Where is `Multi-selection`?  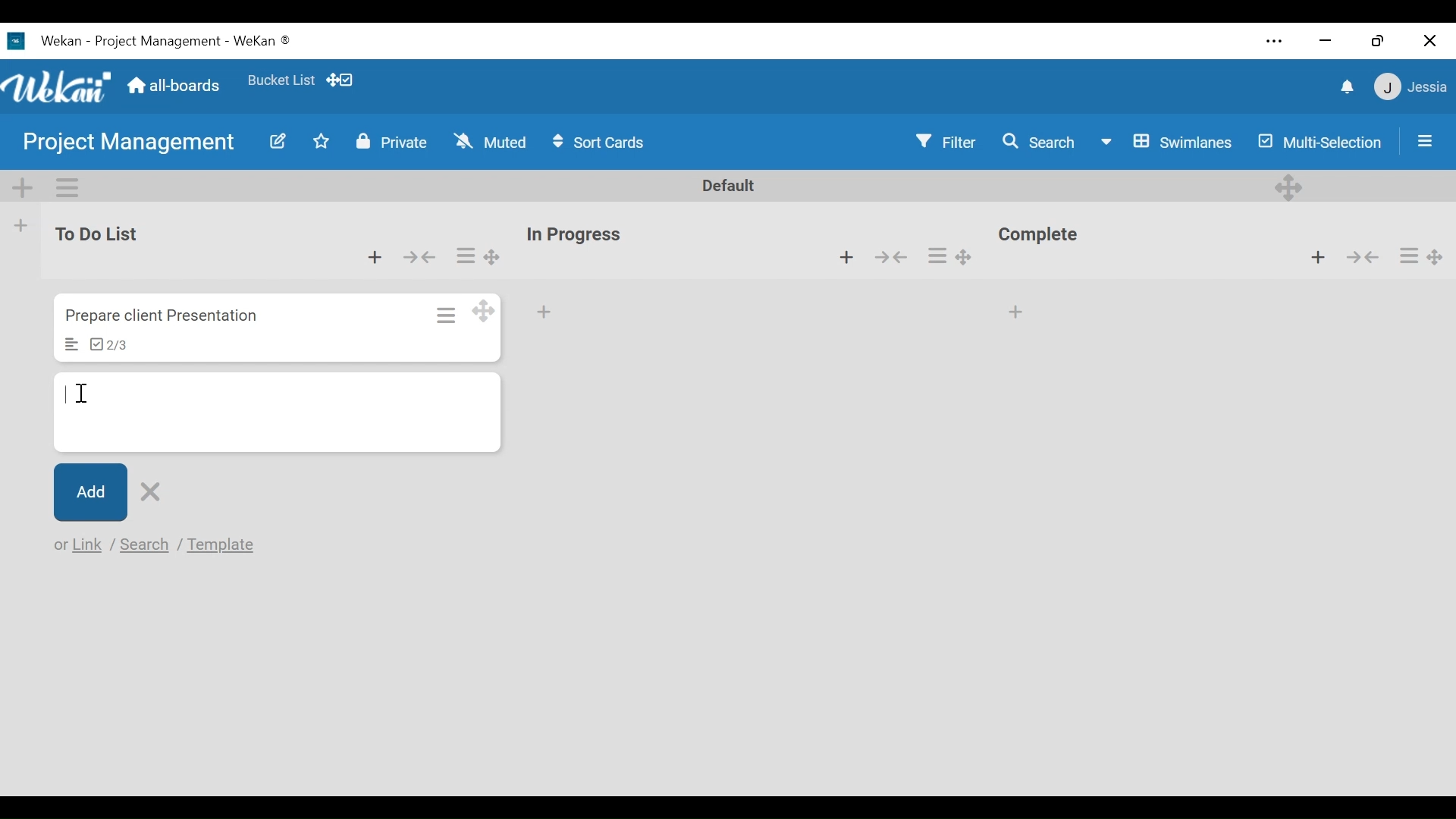
Multi-selection is located at coordinates (1316, 141).